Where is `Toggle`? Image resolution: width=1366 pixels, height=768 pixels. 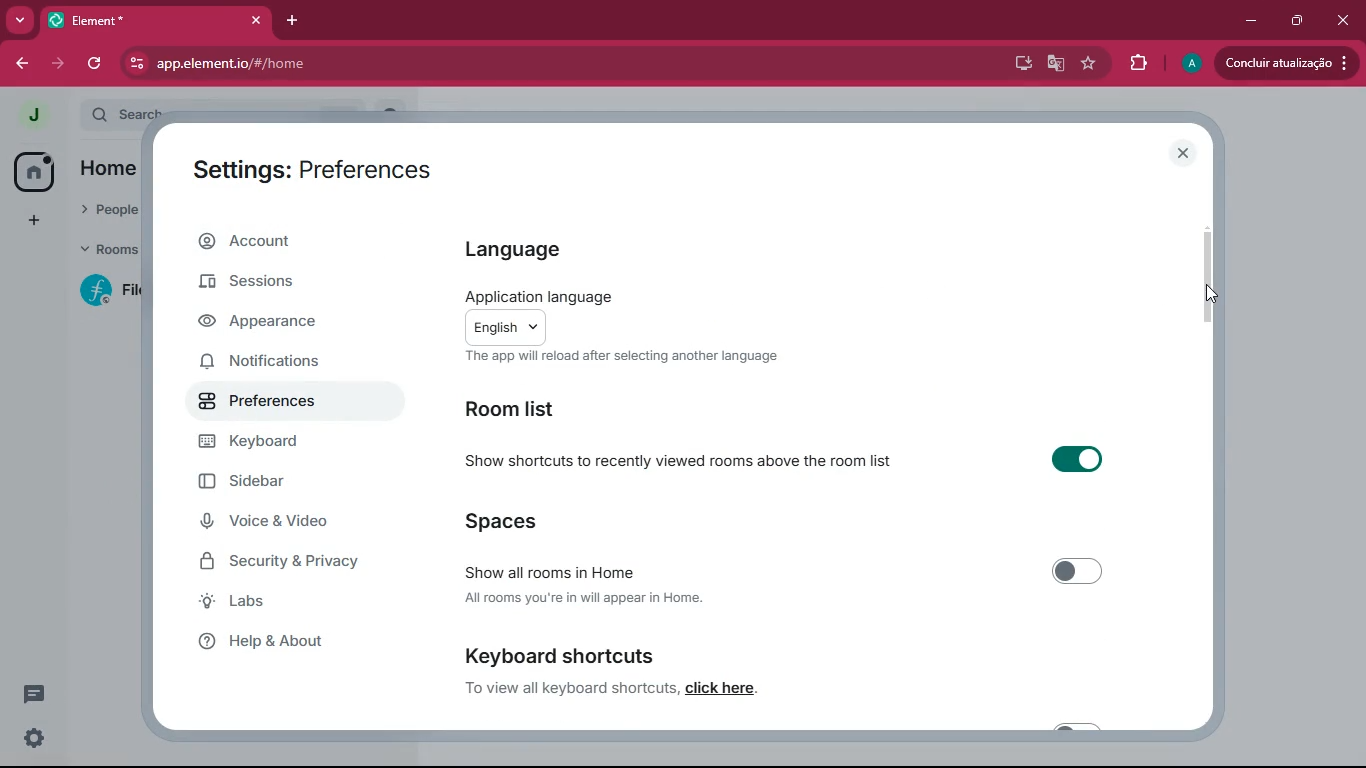 Toggle is located at coordinates (1075, 460).